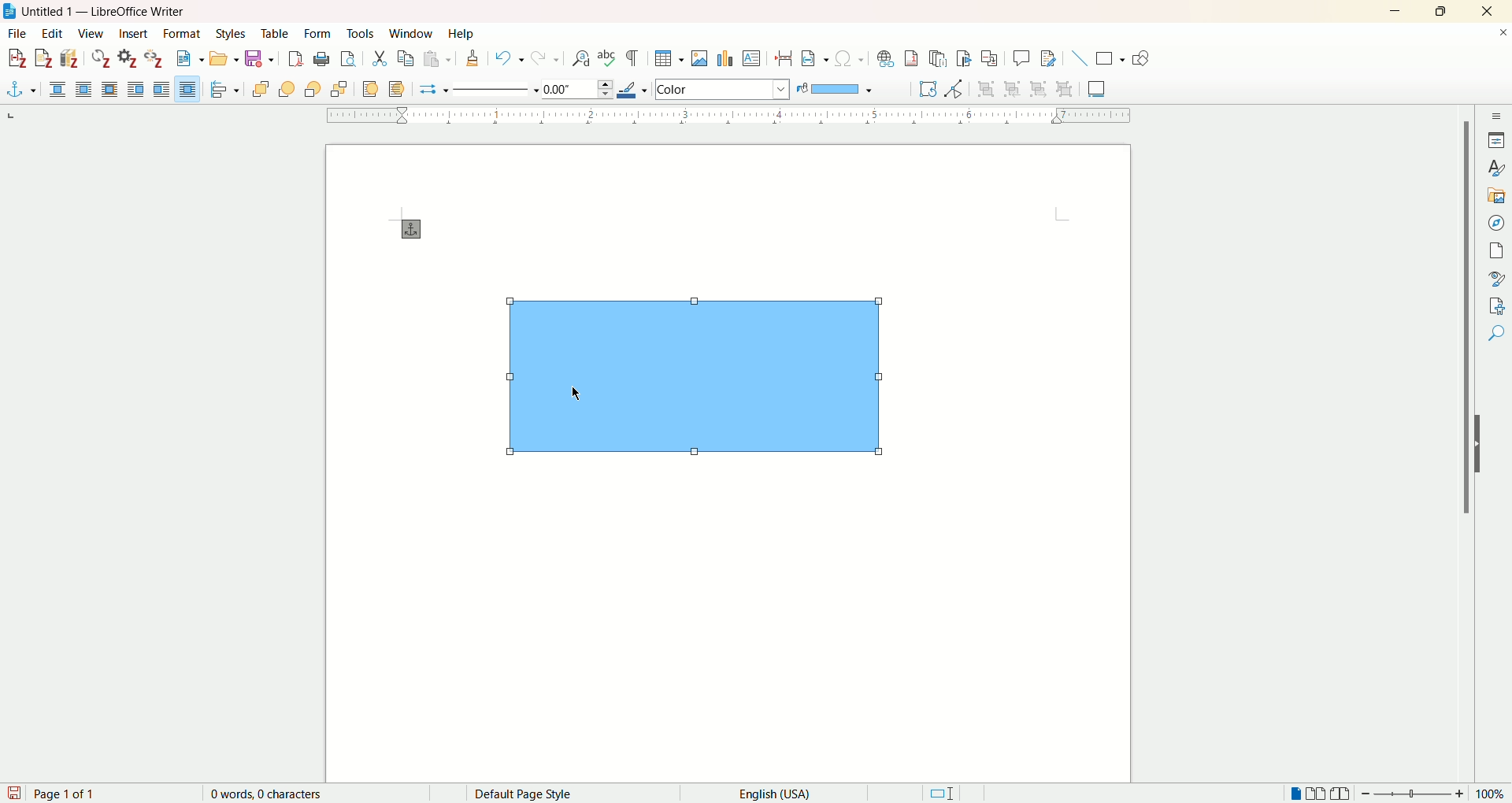  What do you see at coordinates (1295, 792) in the screenshot?
I see `single page view` at bounding box center [1295, 792].